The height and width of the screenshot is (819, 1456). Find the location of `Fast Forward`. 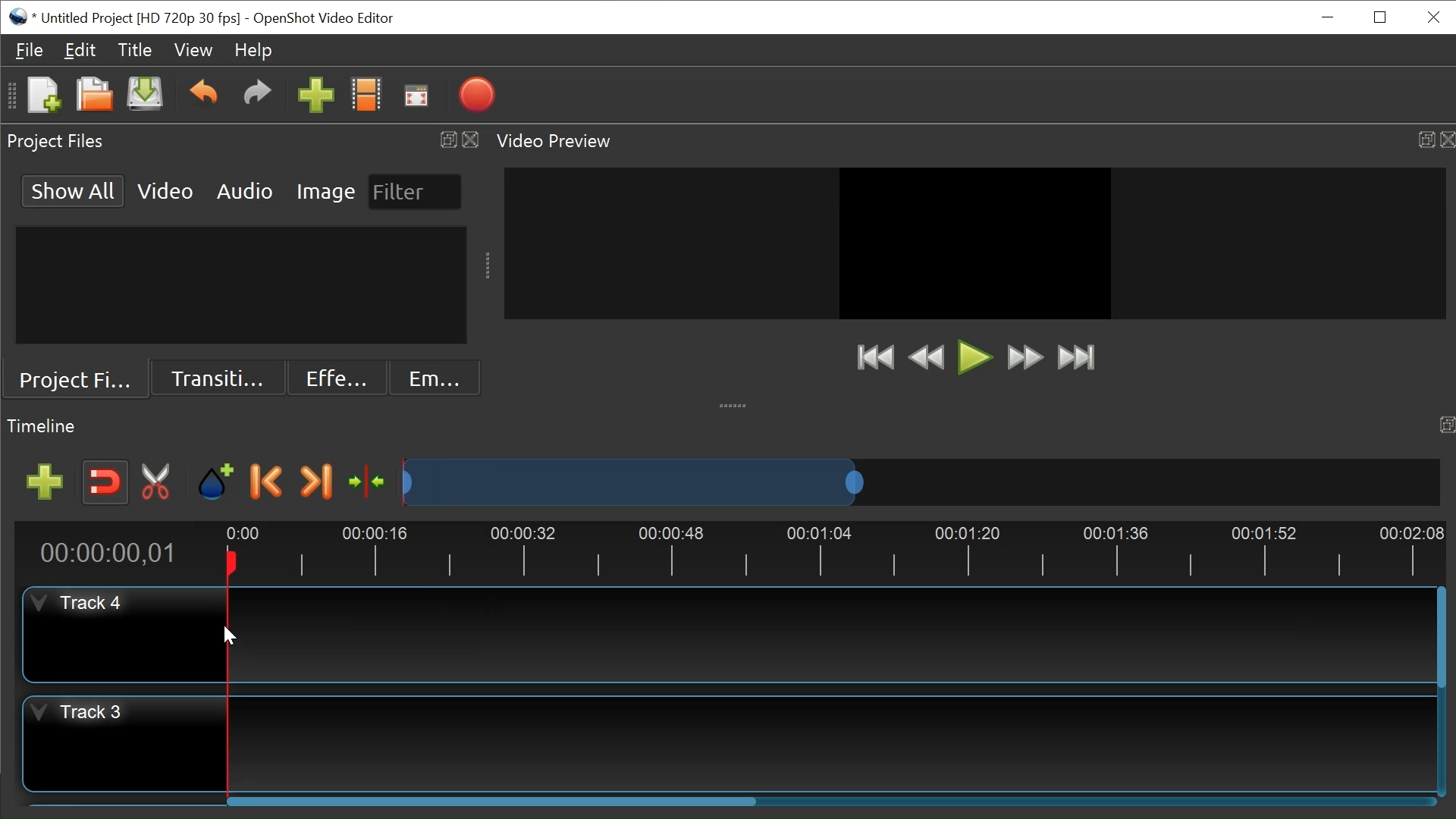

Fast Forward is located at coordinates (1022, 357).